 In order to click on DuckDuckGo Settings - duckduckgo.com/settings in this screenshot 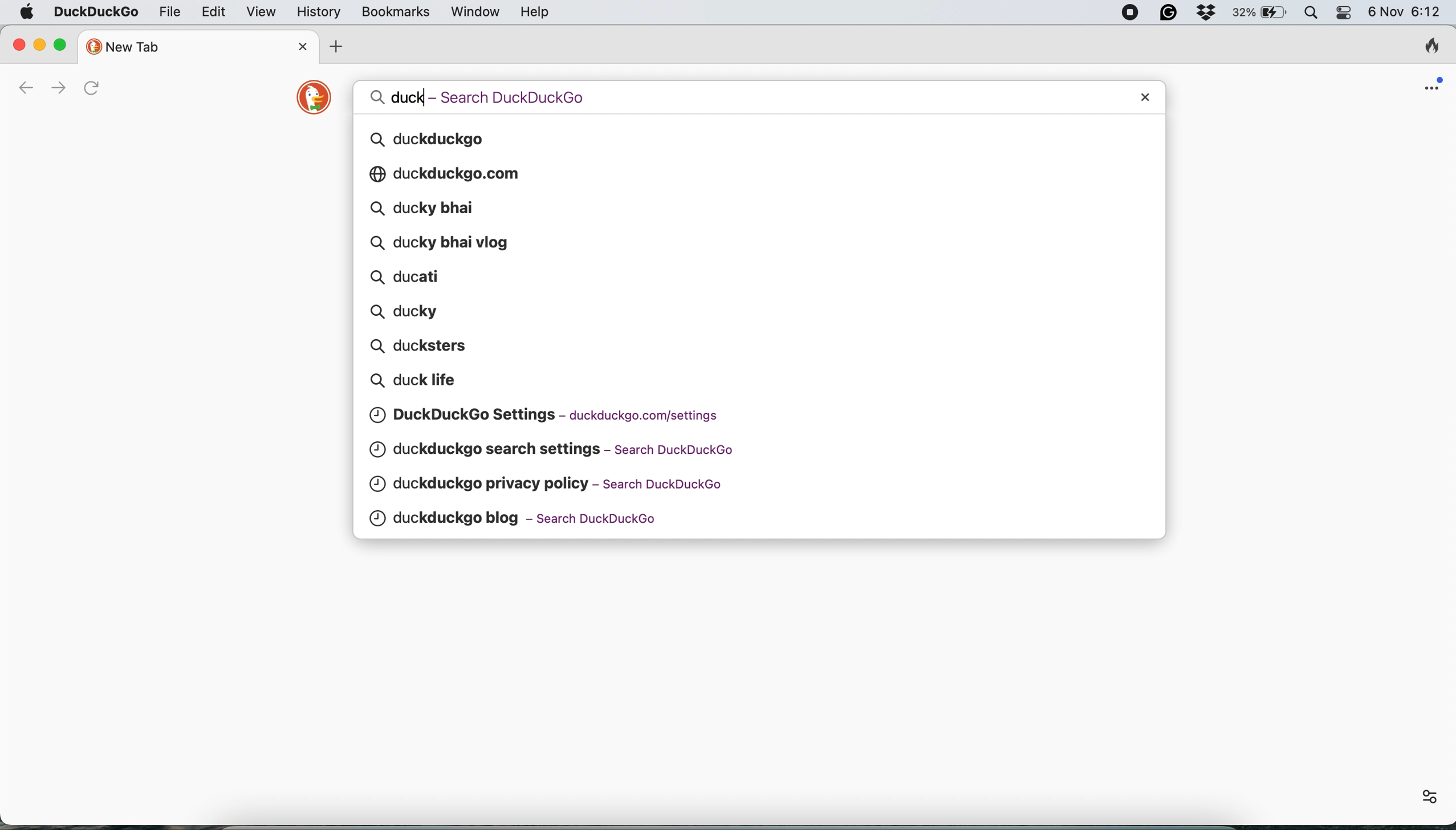, I will do `click(552, 414)`.